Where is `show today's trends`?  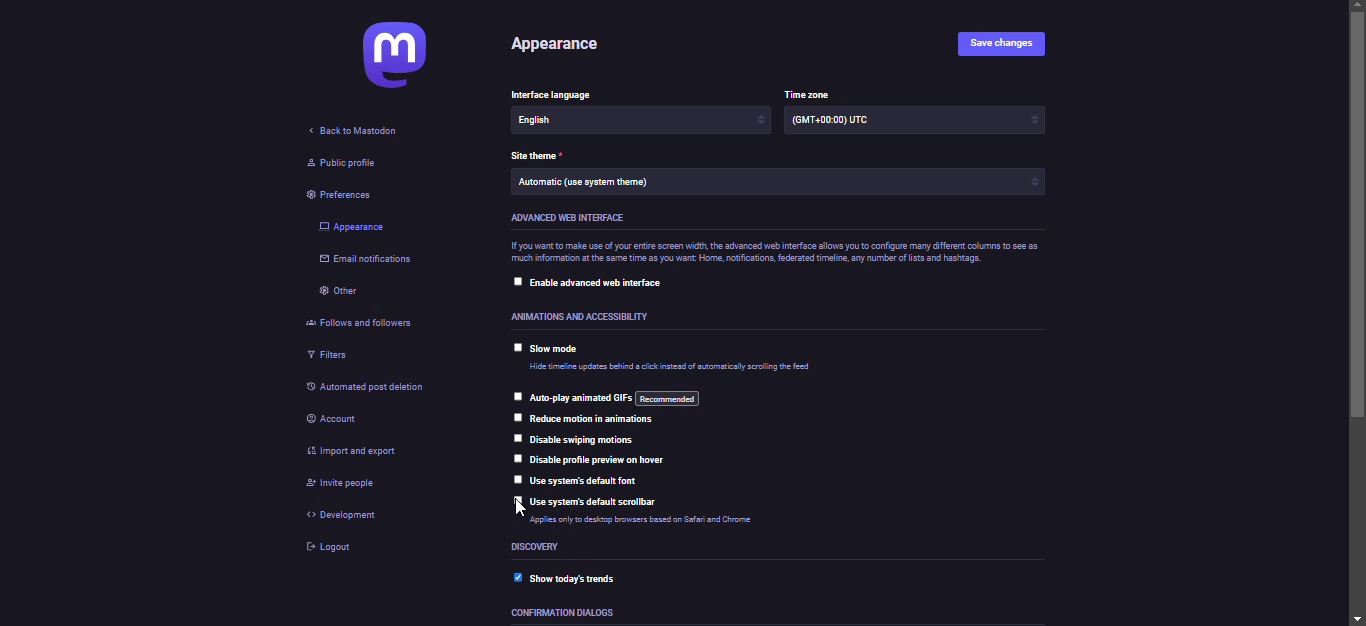
show today's trends is located at coordinates (571, 579).